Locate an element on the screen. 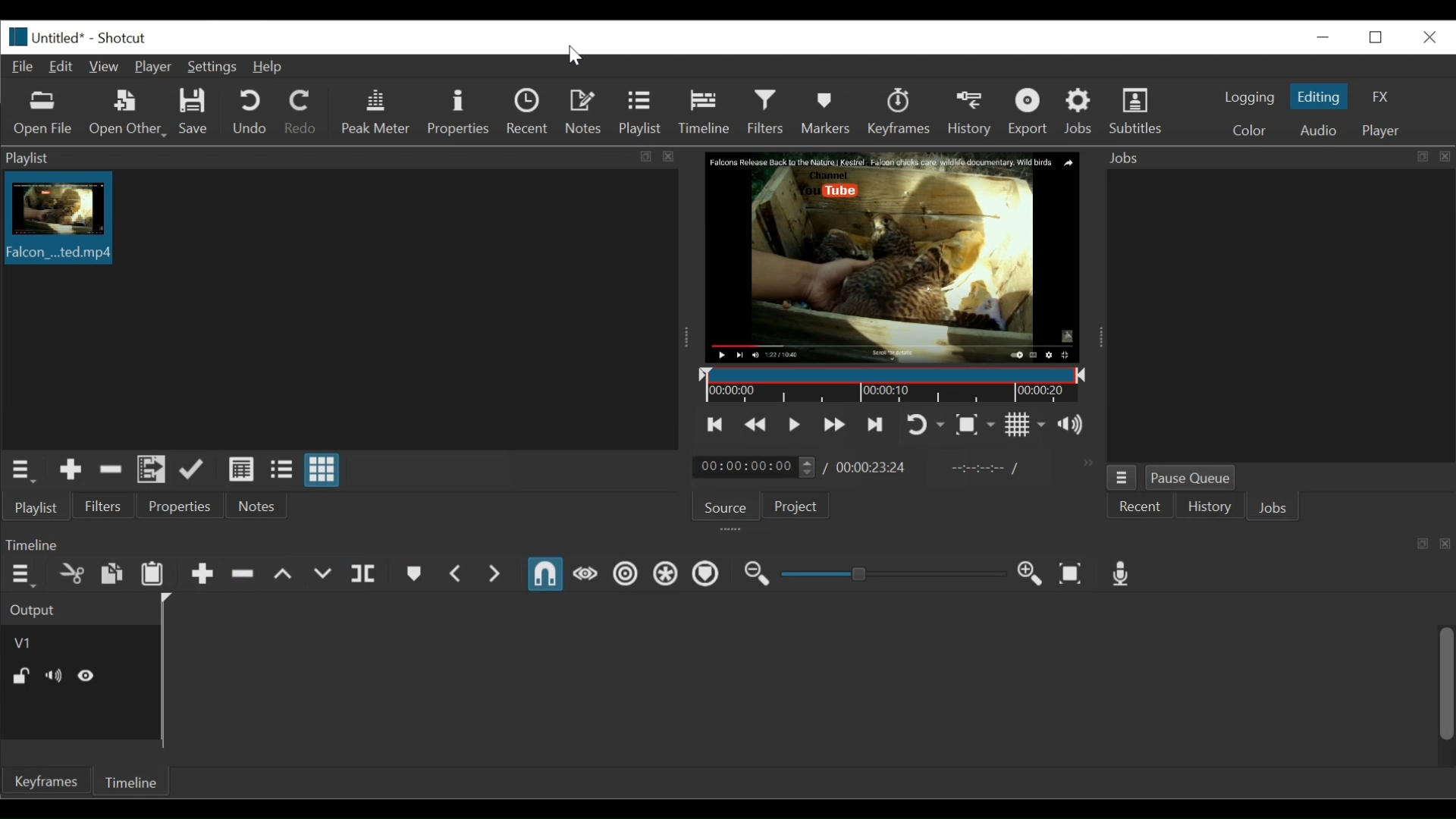 This screenshot has height=819, width=1456. Close is located at coordinates (1429, 37).